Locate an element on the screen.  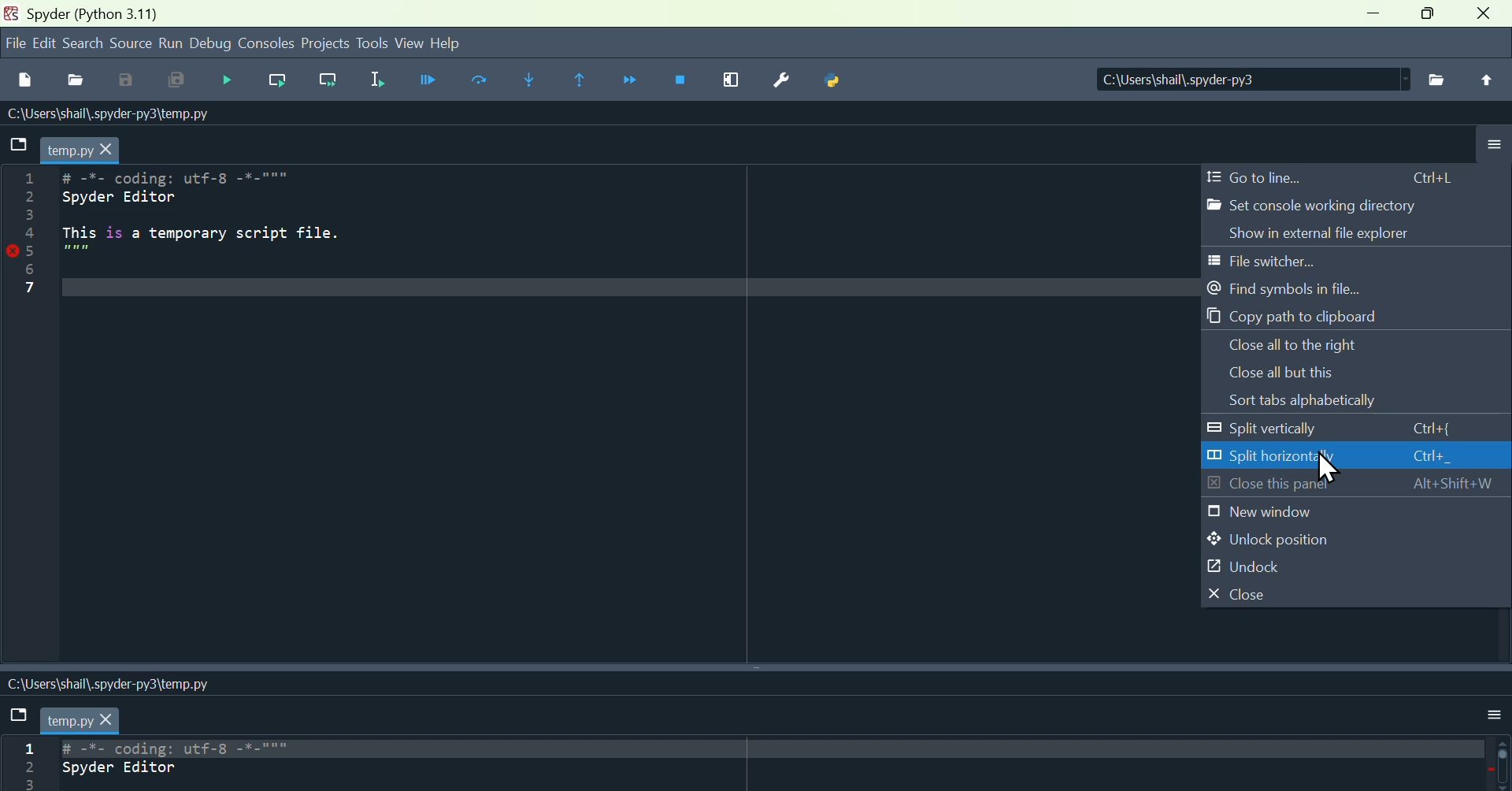
| C:\Users\shail\.spyder-py3 is located at coordinates (1249, 80).